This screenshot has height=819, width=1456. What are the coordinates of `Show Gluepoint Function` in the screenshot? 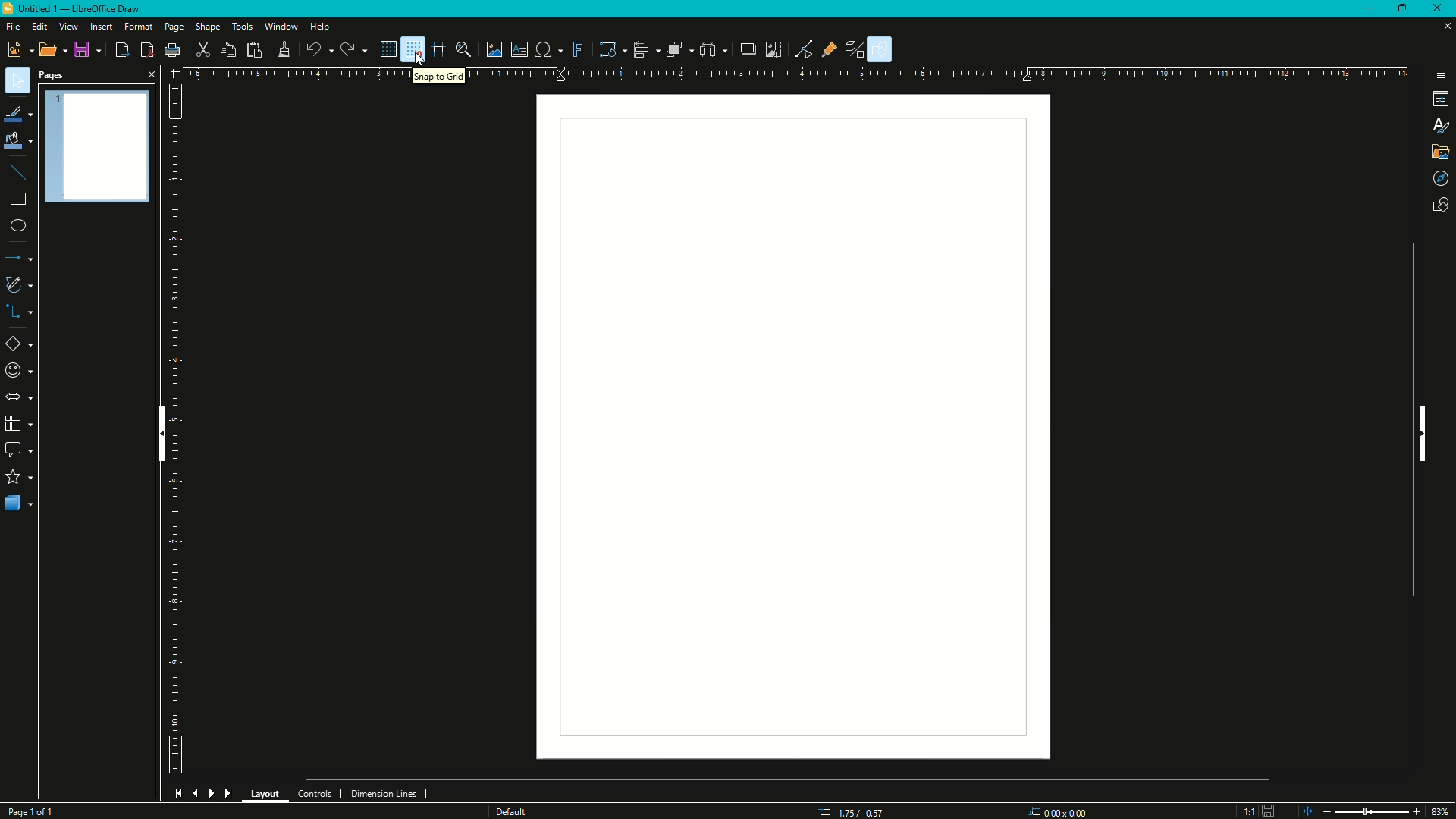 It's located at (826, 51).